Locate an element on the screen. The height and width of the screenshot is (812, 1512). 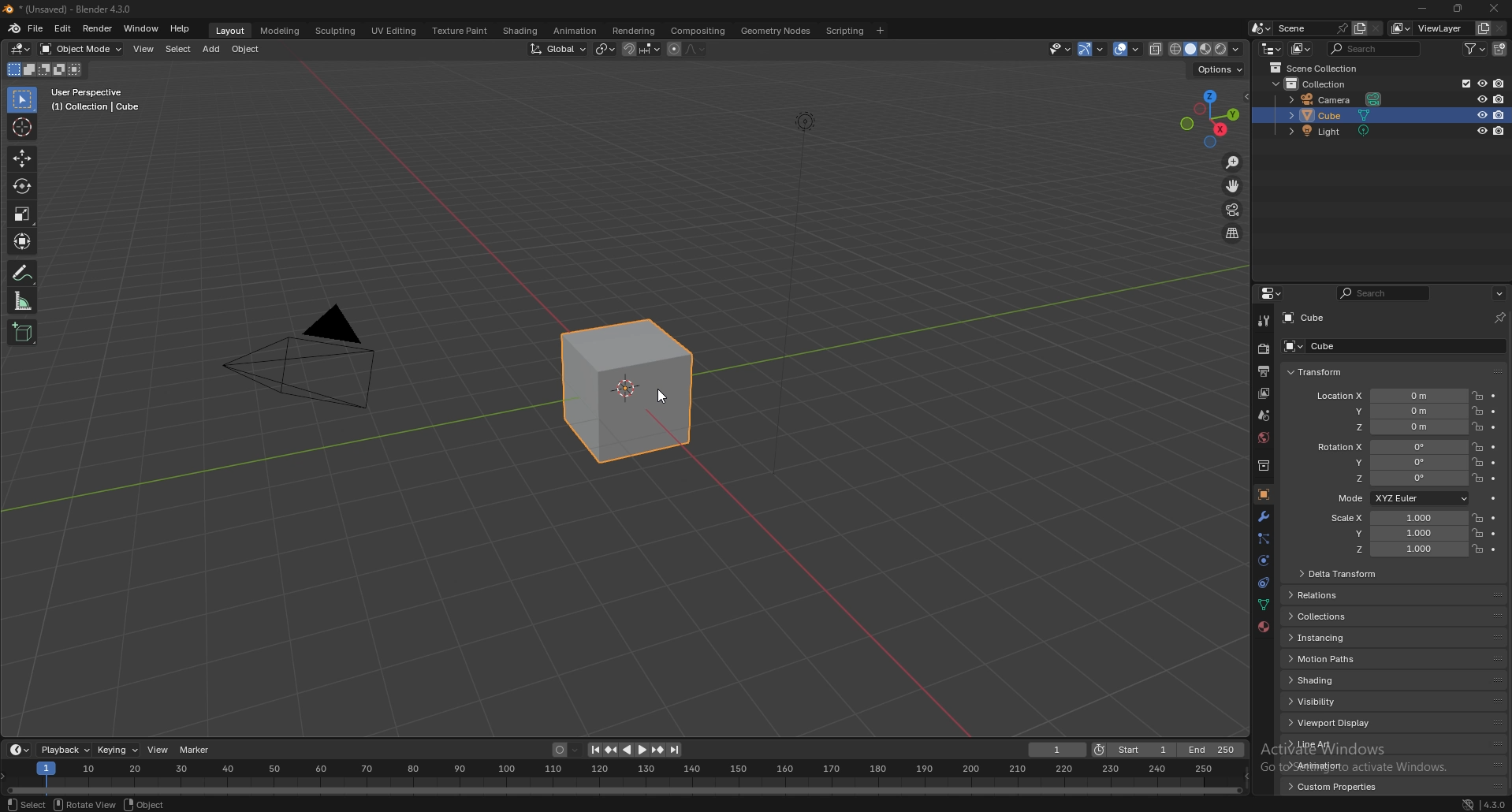
line art is located at coordinates (1341, 743).